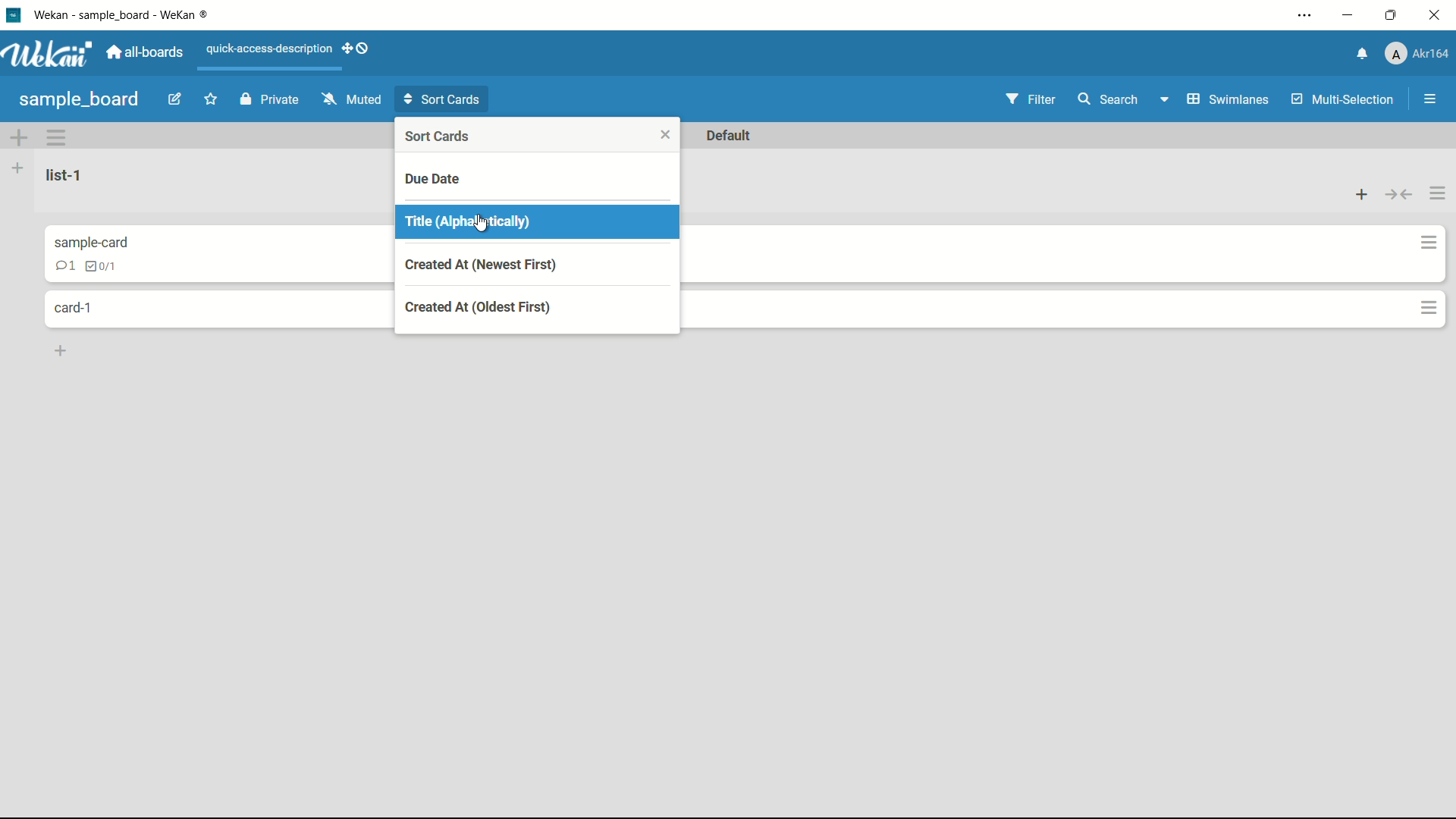 This screenshot has height=819, width=1456. I want to click on muted, so click(353, 99).